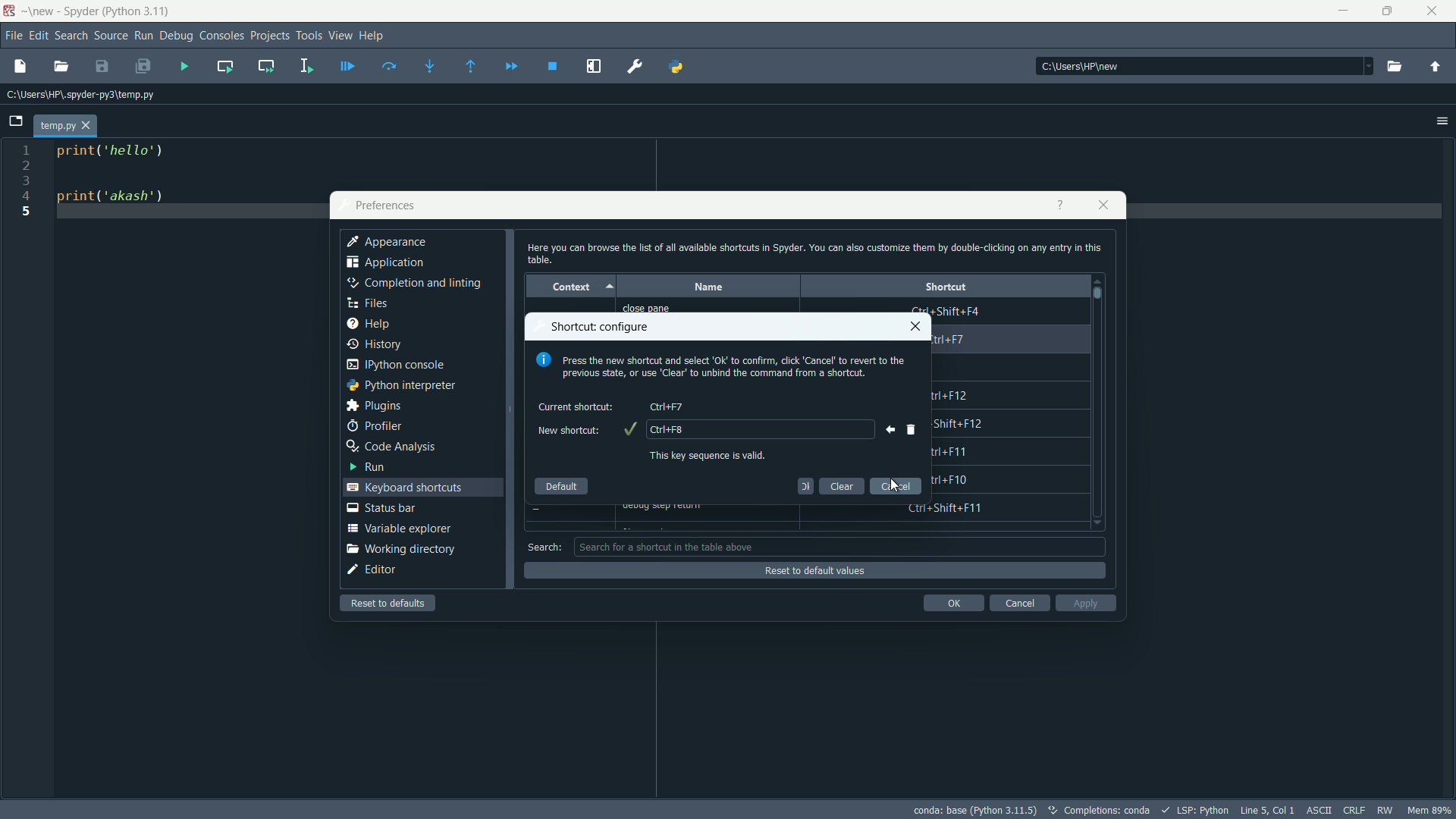 This screenshot has height=819, width=1456. I want to click on save file, so click(102, 67).